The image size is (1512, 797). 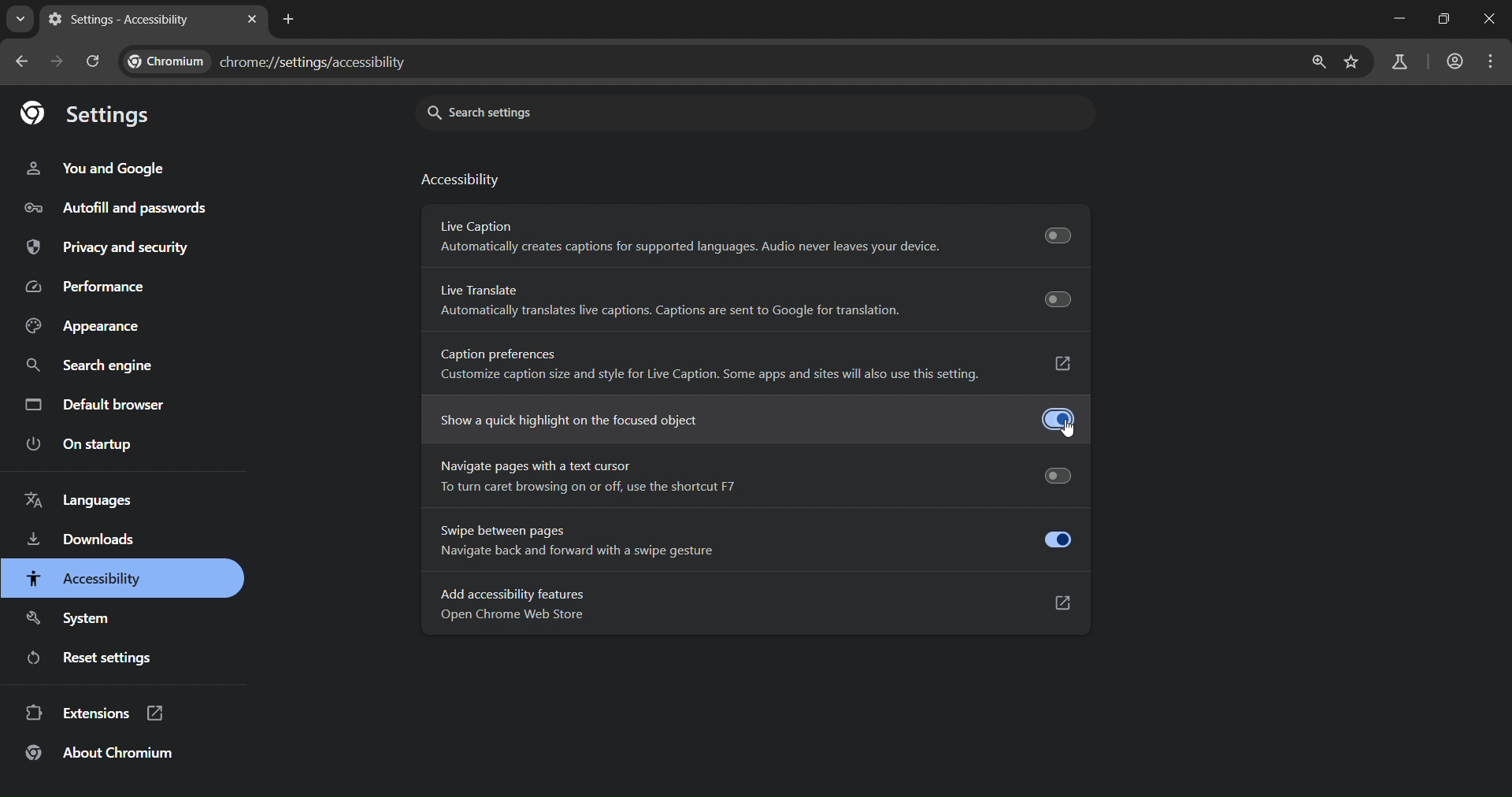 What do you see at coordinates (590, 476) in the screenshot?
I see `navigate pages with text cursor` at bounding box center [590, 476].